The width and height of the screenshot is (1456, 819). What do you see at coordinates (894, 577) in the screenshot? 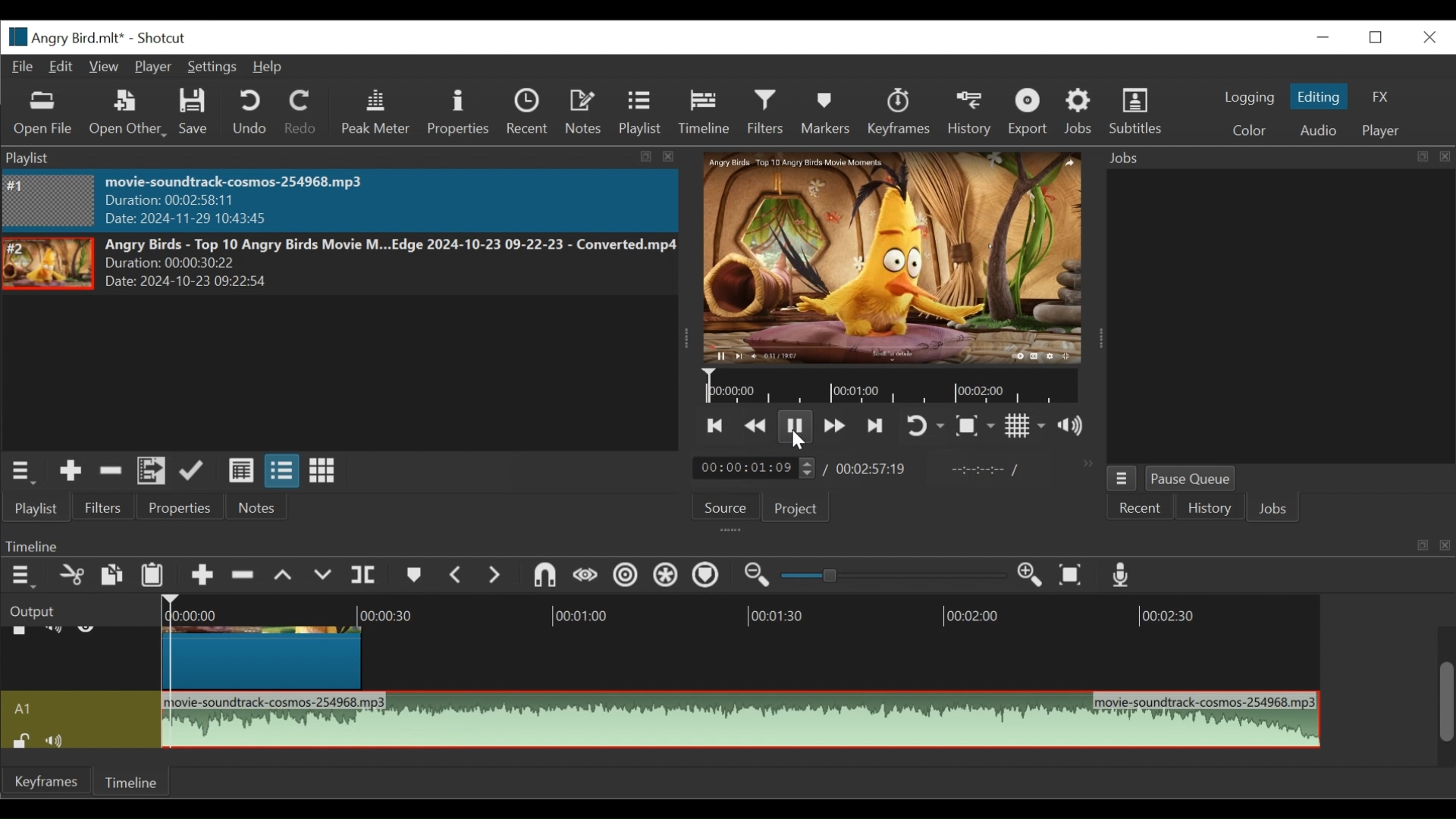
I see `Slider` at bounding box center [894, 577].